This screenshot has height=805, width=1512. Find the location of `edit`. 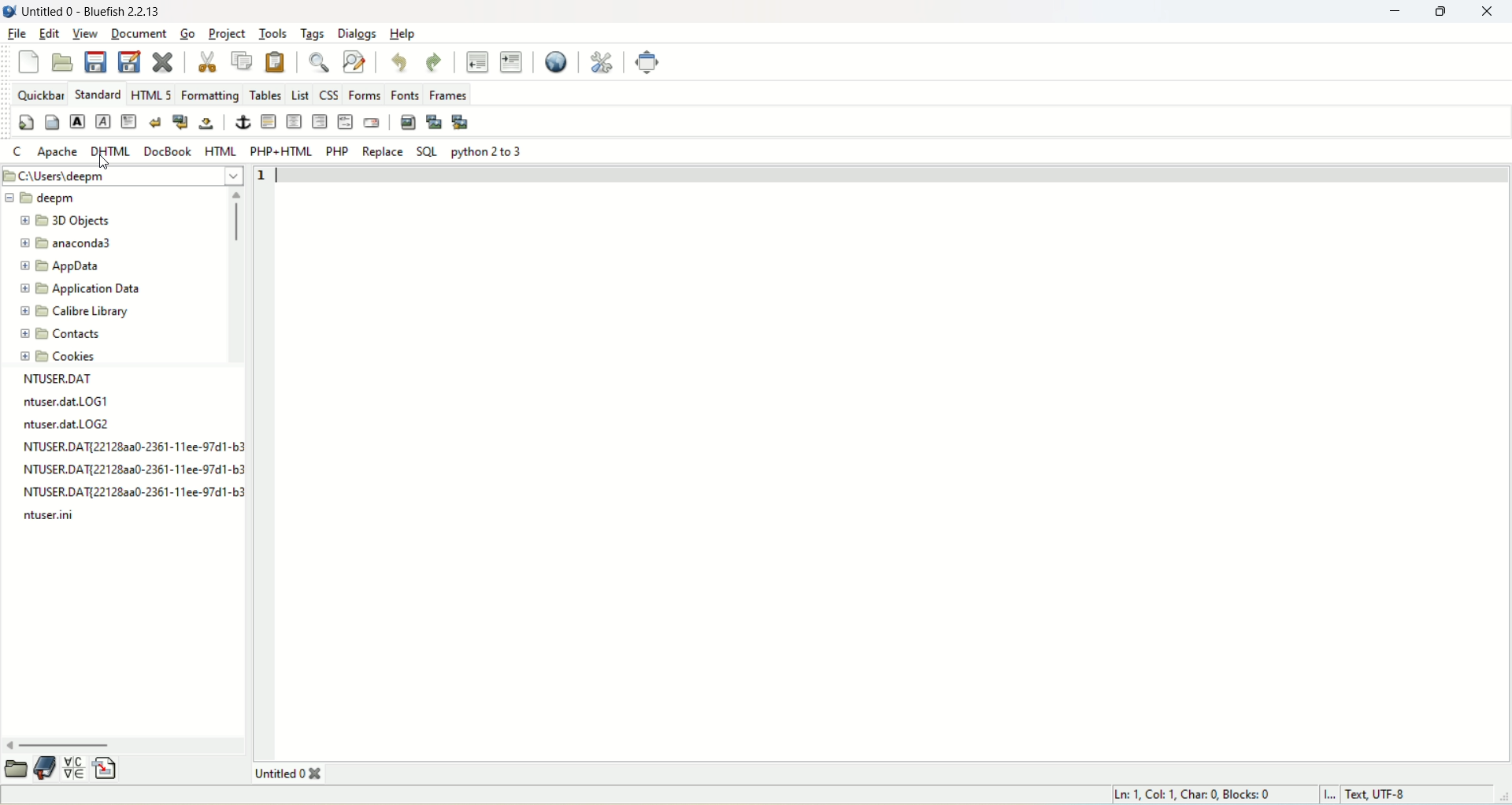

edit is located at coordinates (46, 35).